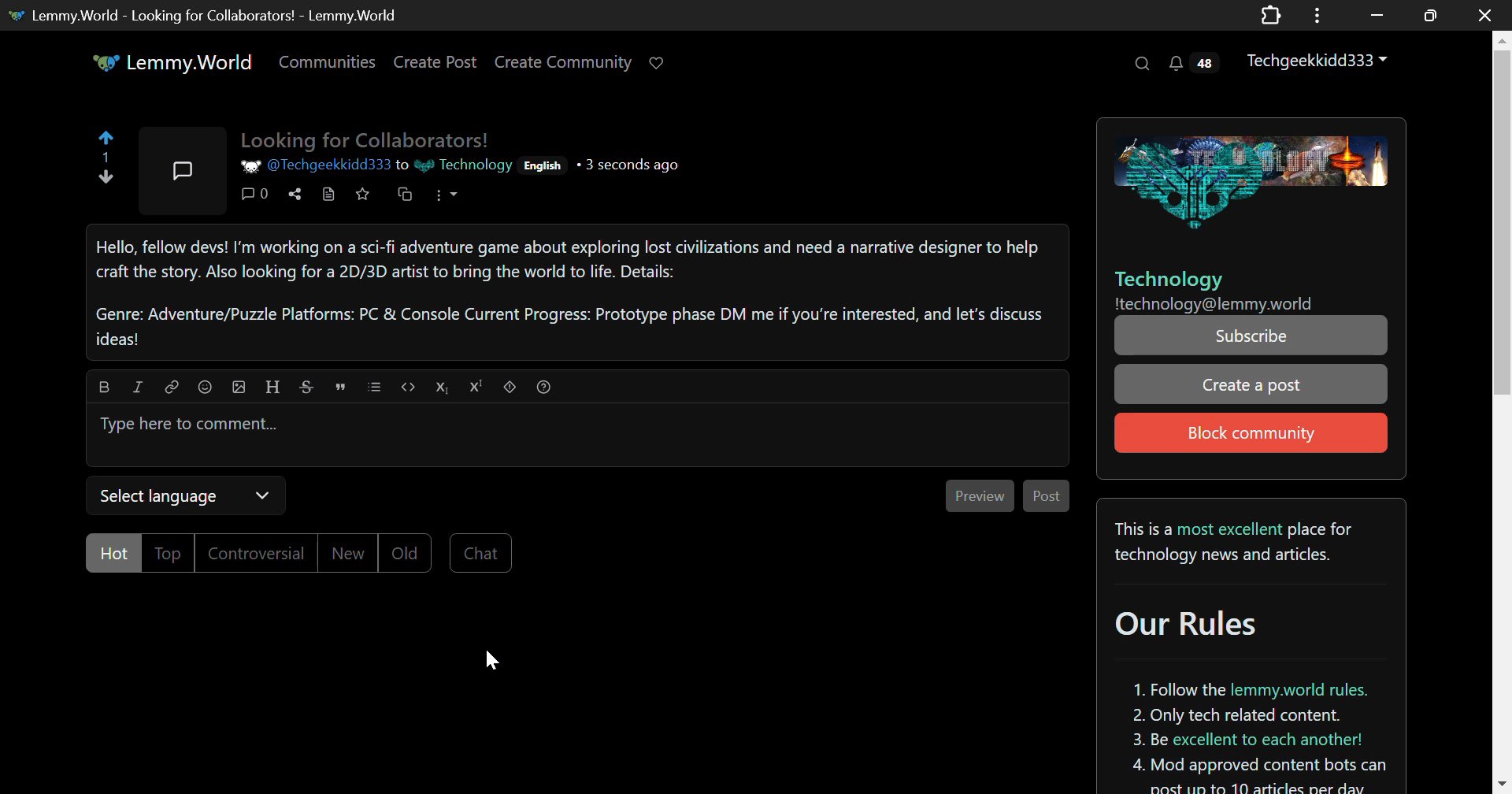  What do you see at coordinates (272, 384) in the screenshot?
I see `header` at bounding box center [272, 384].